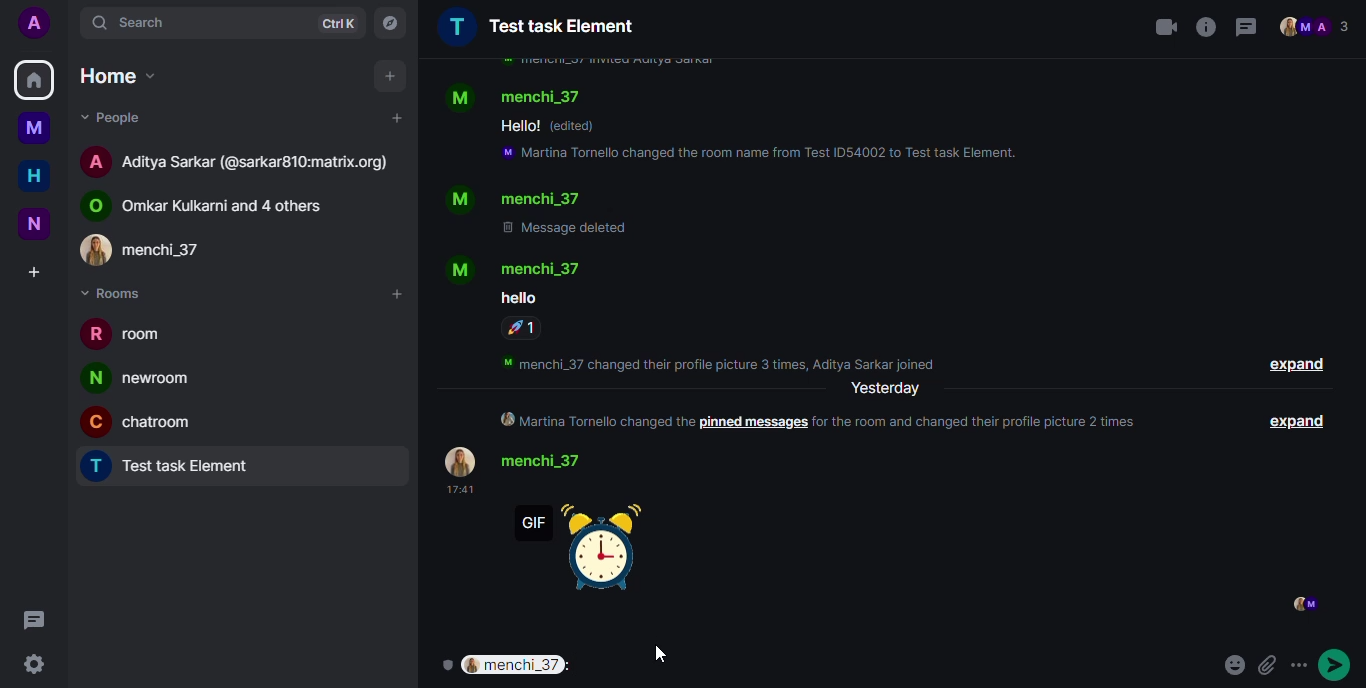 The image size is (1366, 688). What do you see at coordinates (655, 651) in the screenshot?
I see `cursor` at bounding box center [655, 651].